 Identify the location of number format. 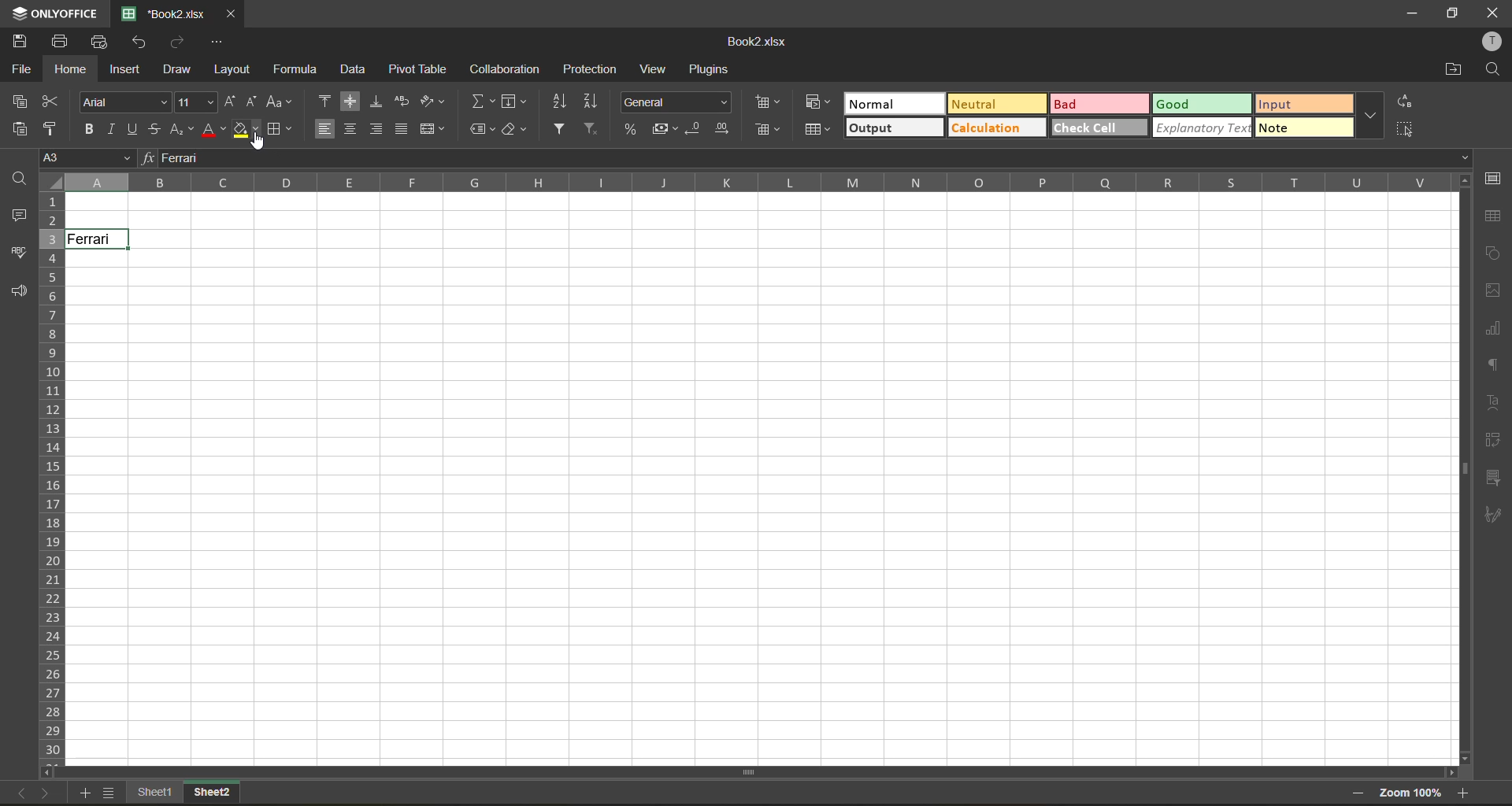
(676, 102).